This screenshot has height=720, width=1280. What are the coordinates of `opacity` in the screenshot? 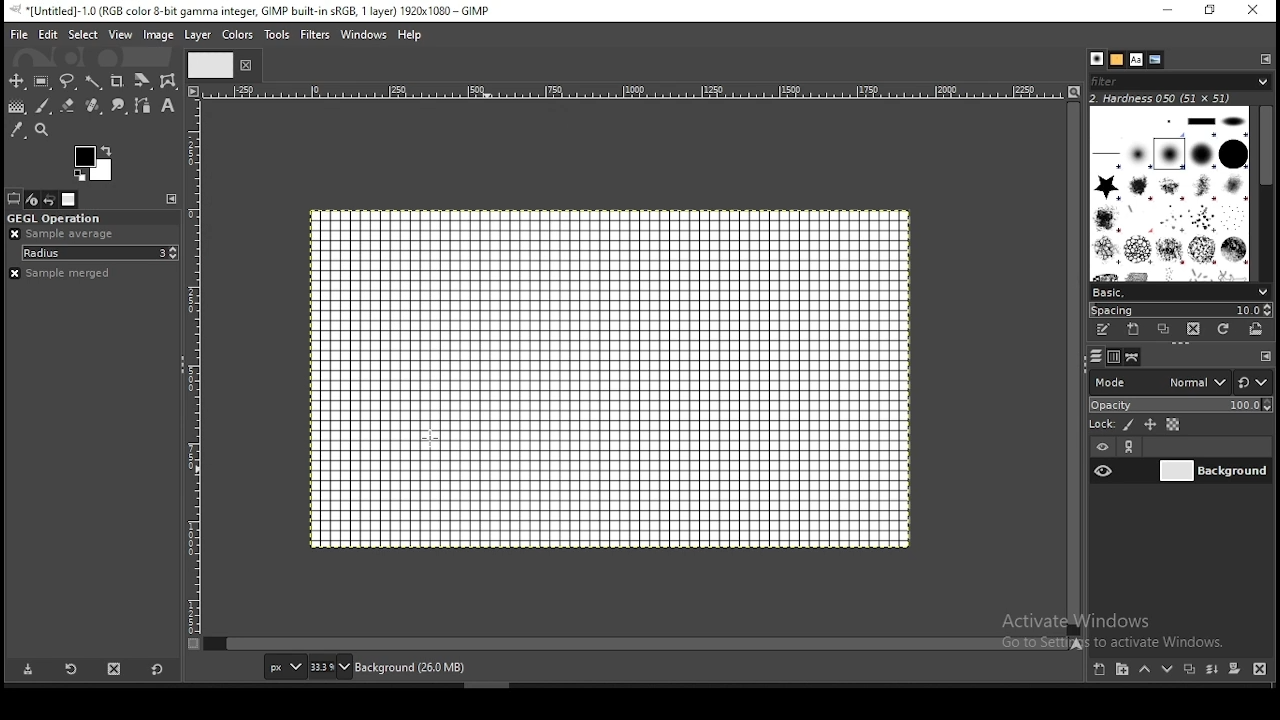 It's located at (1183, 405).